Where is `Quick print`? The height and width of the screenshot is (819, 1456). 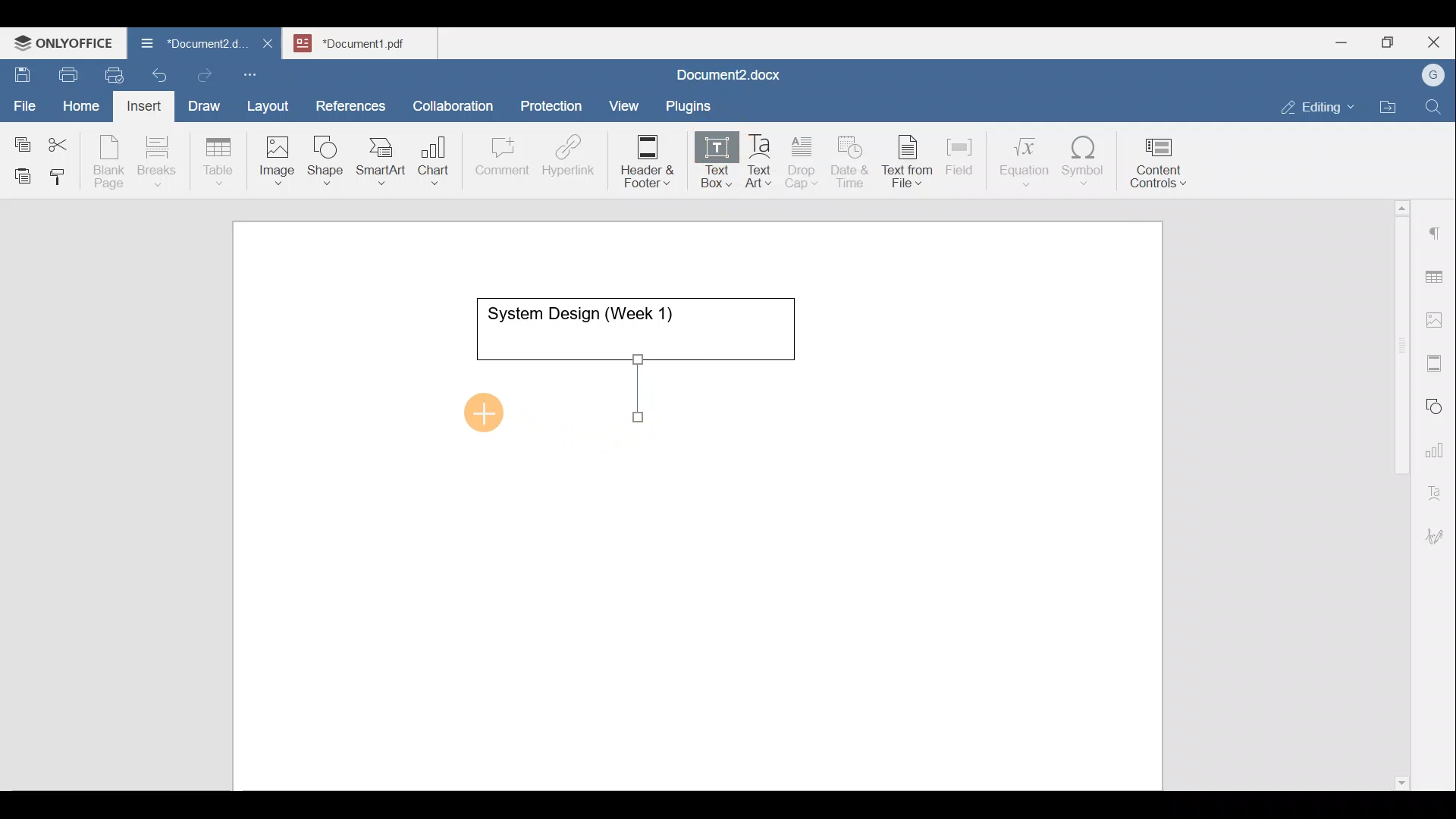 Quick print is located at coordinates (110, 73).